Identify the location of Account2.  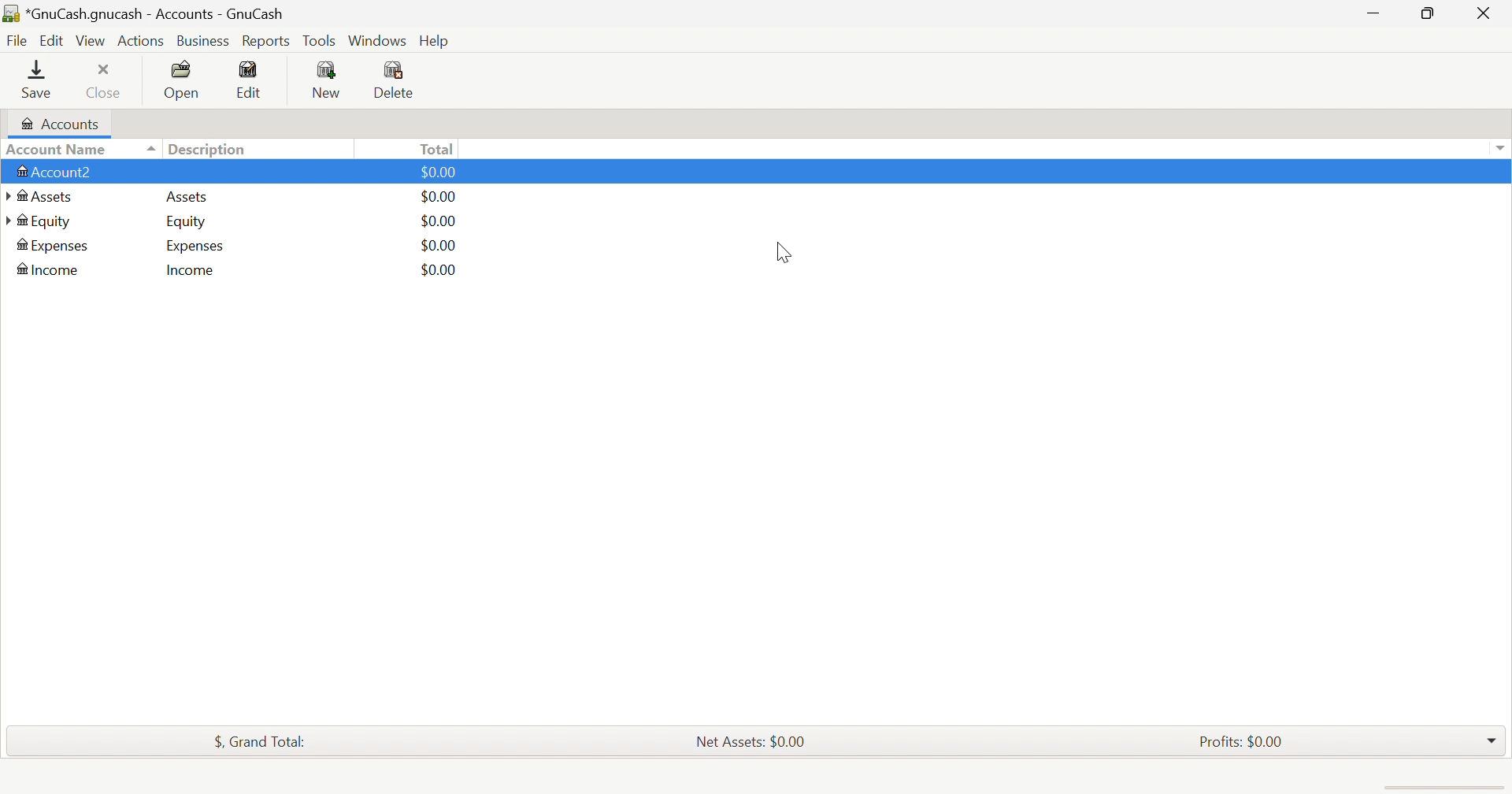
(55, 173).